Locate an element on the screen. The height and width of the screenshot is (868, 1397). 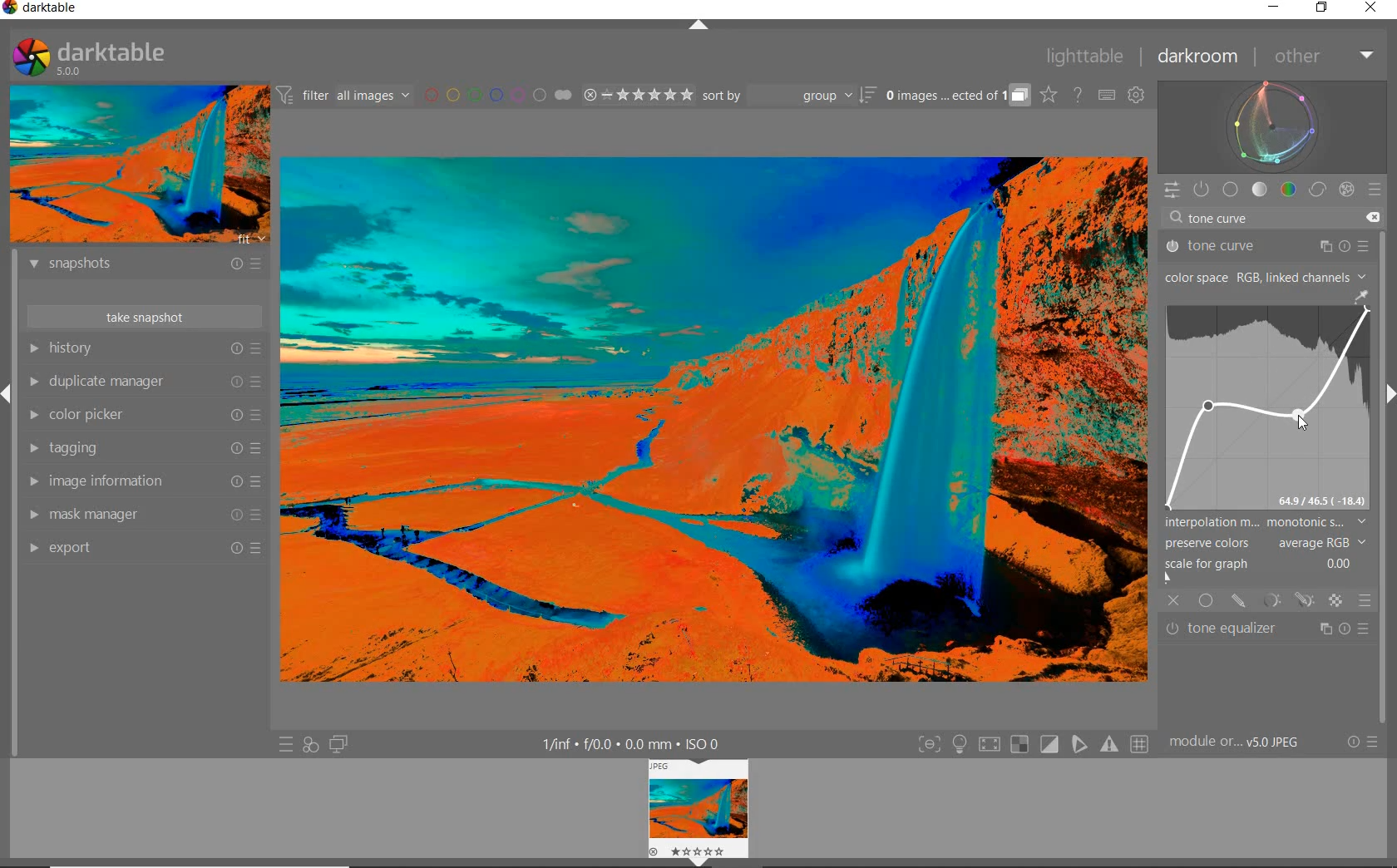
SHOW GLOBAL PREFERENCES is located at coordinates (1136, 95).